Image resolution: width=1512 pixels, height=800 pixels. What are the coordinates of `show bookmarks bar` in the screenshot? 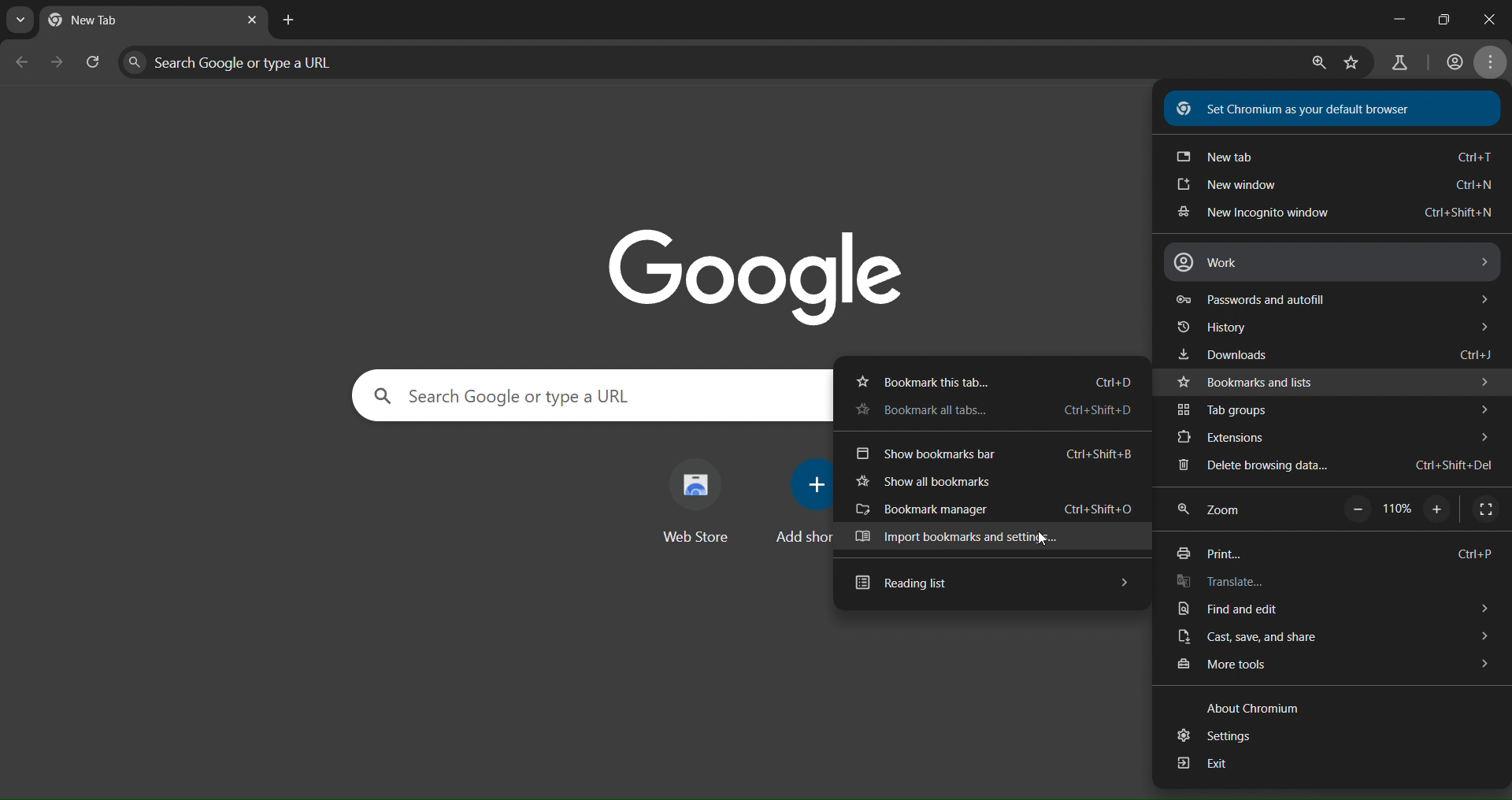 It's located at (997, 452).